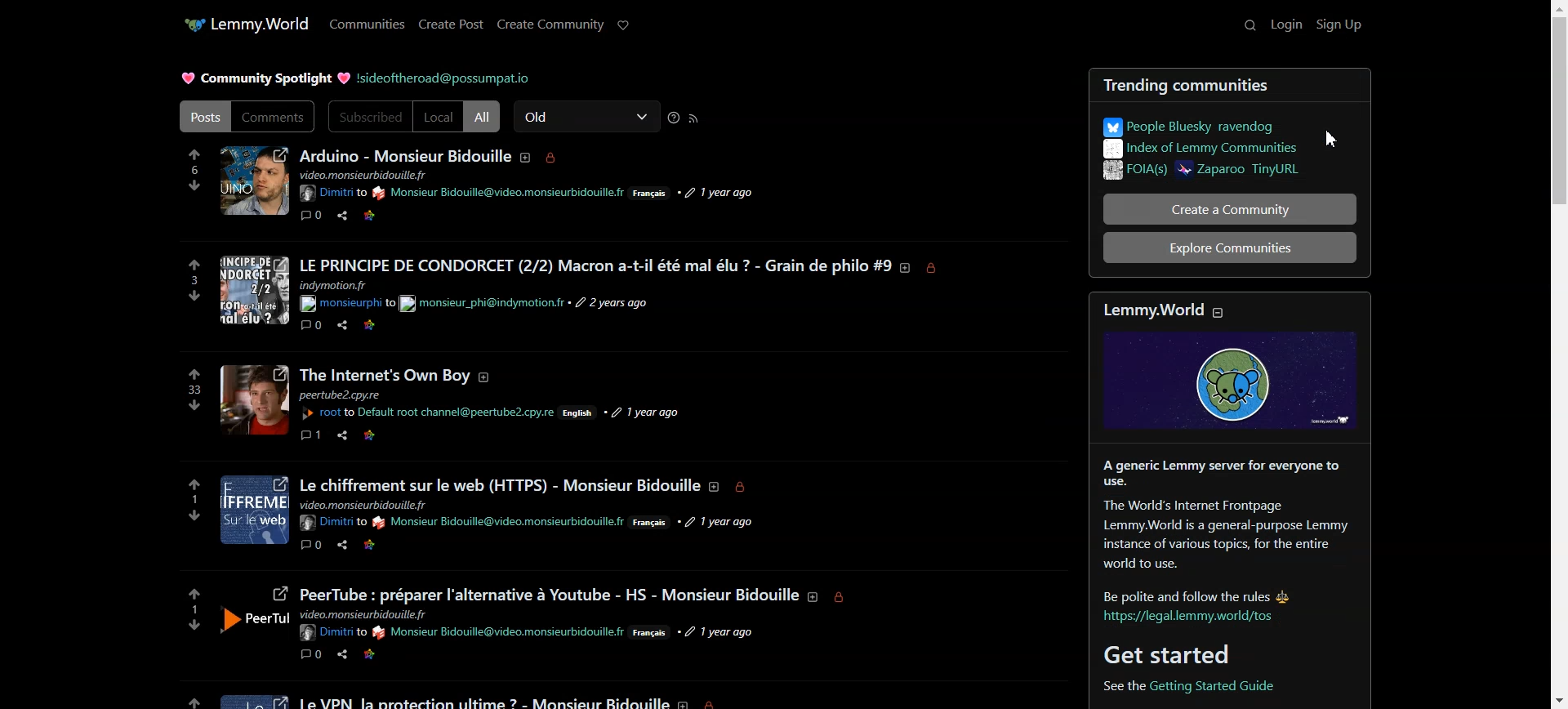 The width and height of the screenshot is (1568, 709). What do you see at coordinates (195, 162) in the screenshot?
I see `Upvote` at bounding box center [195, 162].